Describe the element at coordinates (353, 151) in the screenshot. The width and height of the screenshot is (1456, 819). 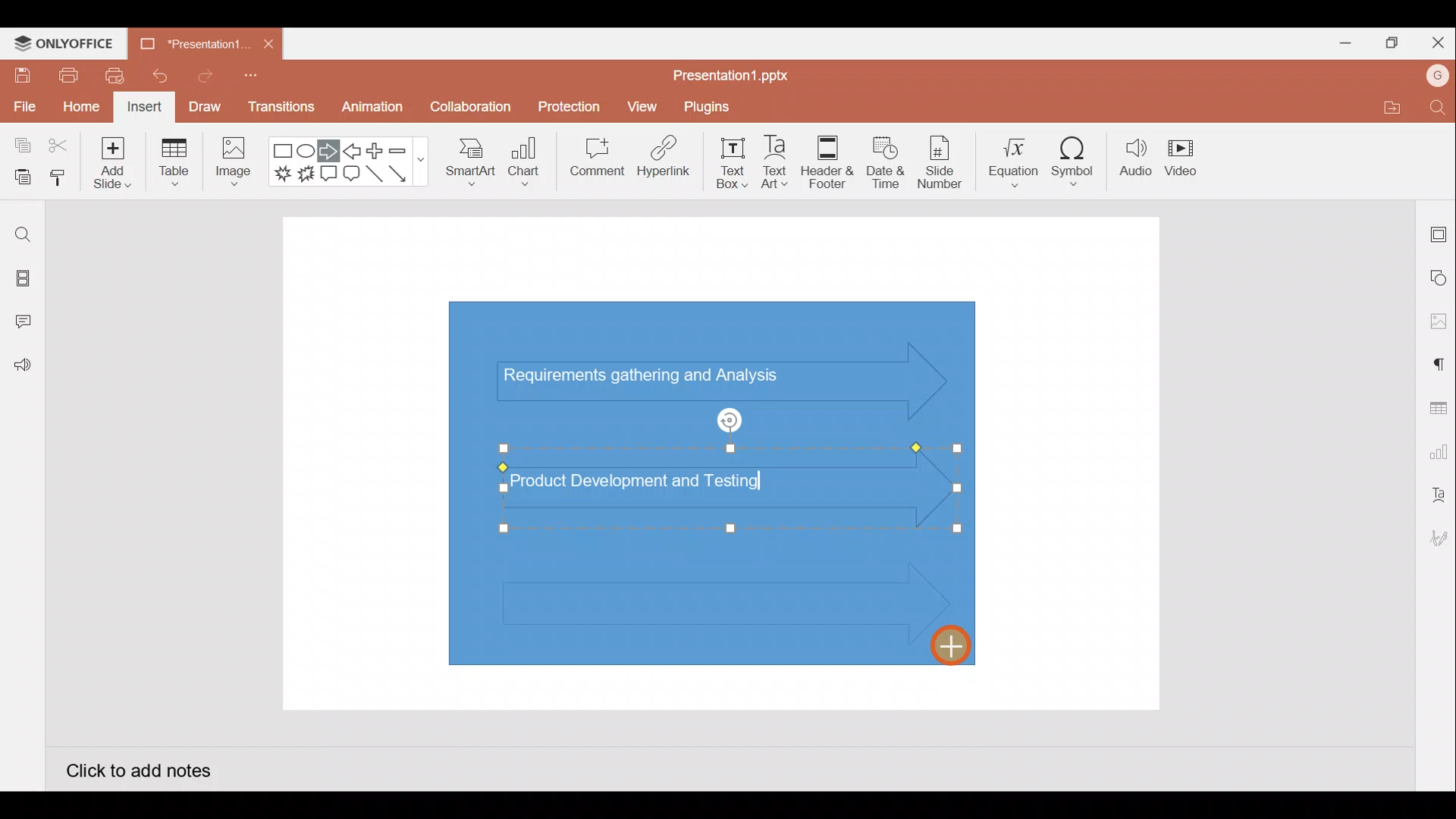
I see `Left arrow` at that location.